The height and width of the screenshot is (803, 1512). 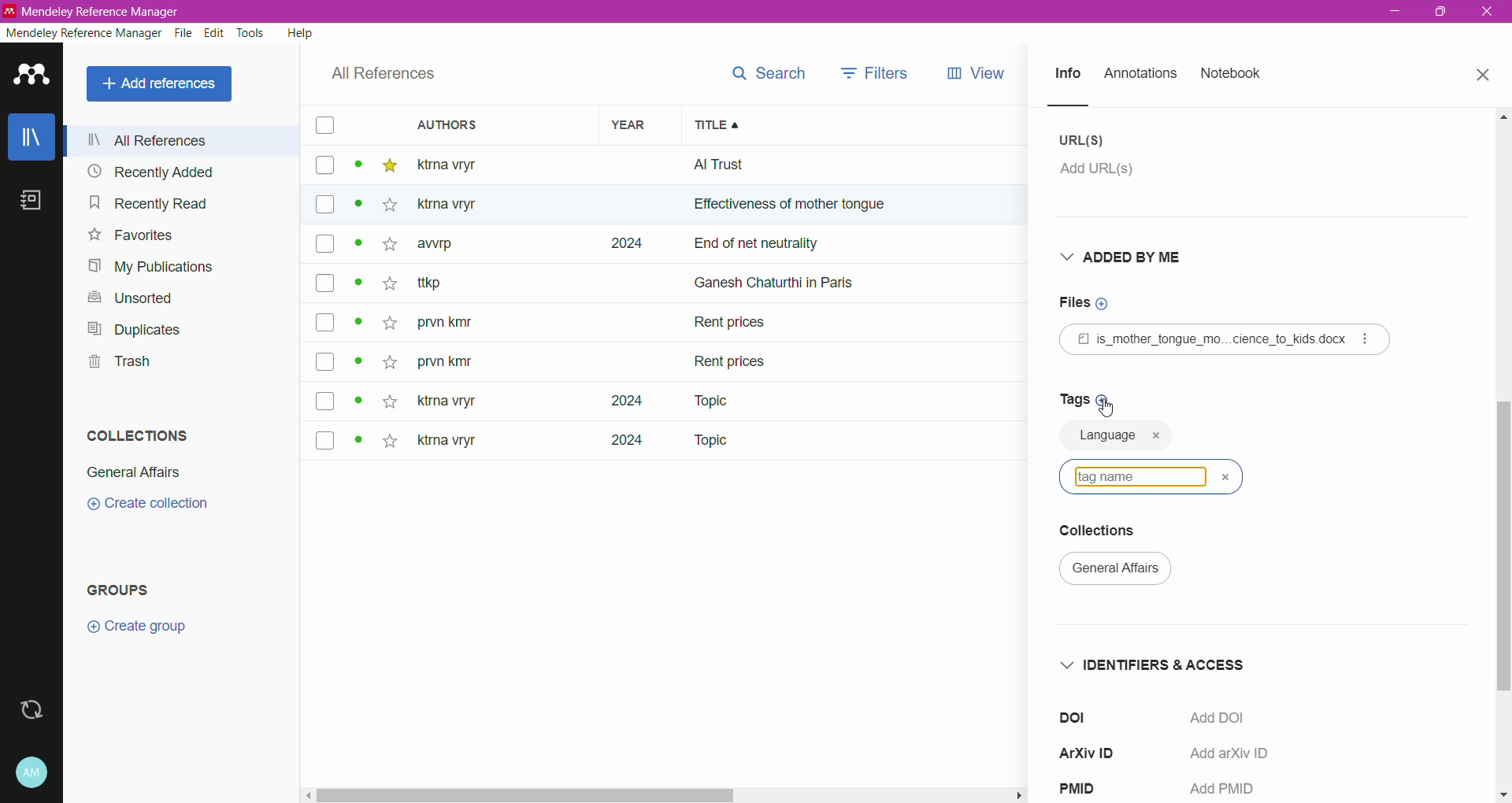 I want to click on dot , so click(x=357, y=326).